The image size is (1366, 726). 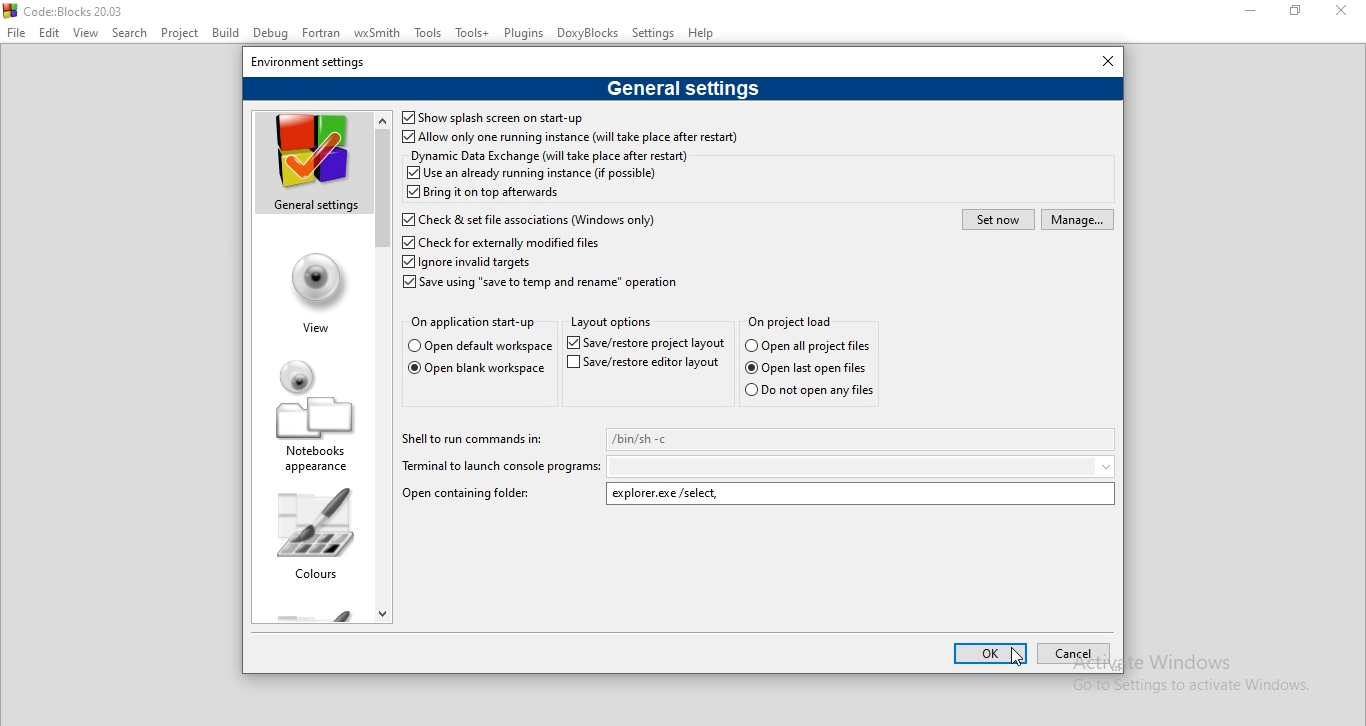 I want to click on Build, so click(x=226, y=31).